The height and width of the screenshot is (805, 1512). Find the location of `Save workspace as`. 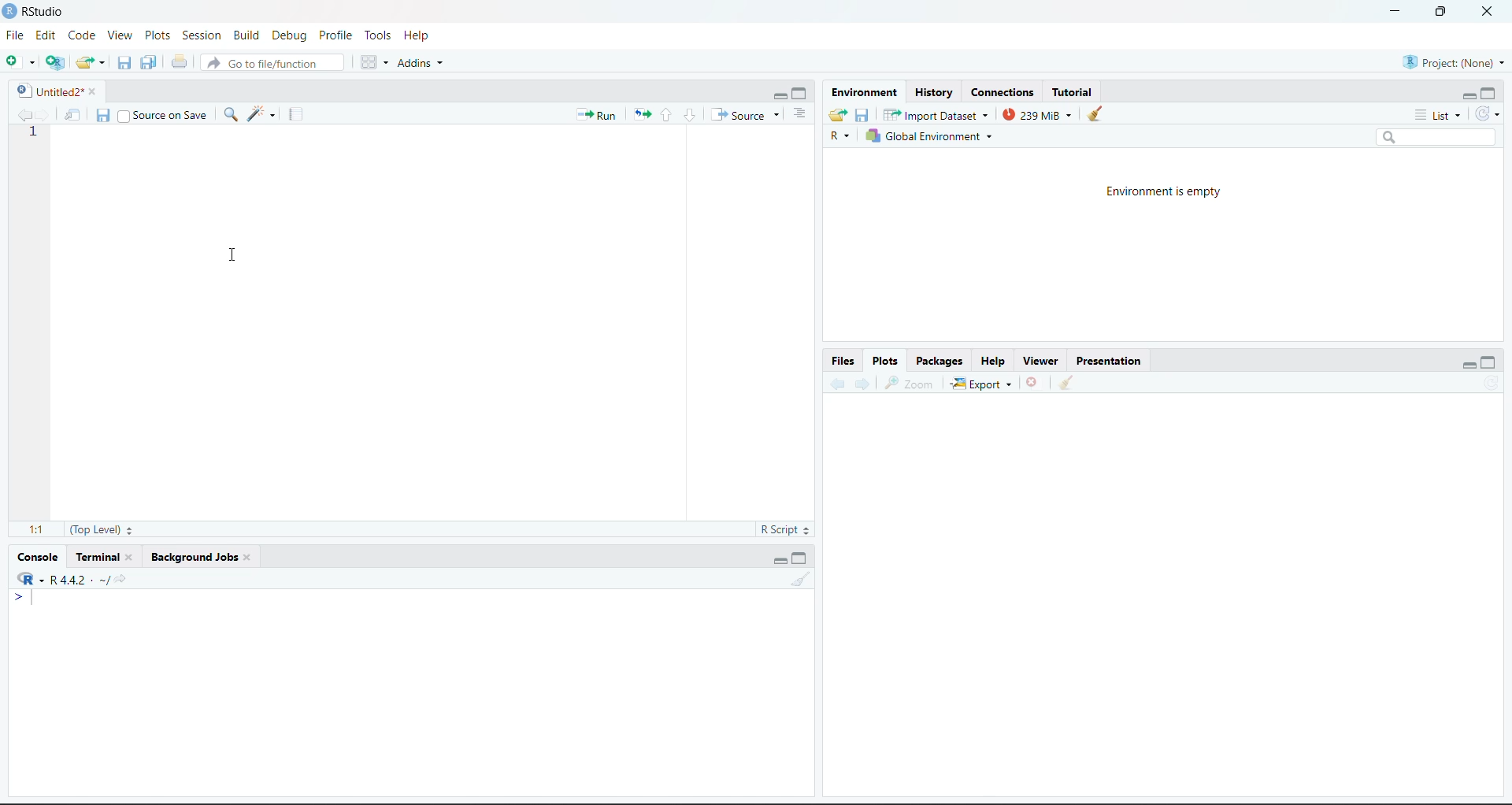

Save workspace as is located at coordinates (863, 117).